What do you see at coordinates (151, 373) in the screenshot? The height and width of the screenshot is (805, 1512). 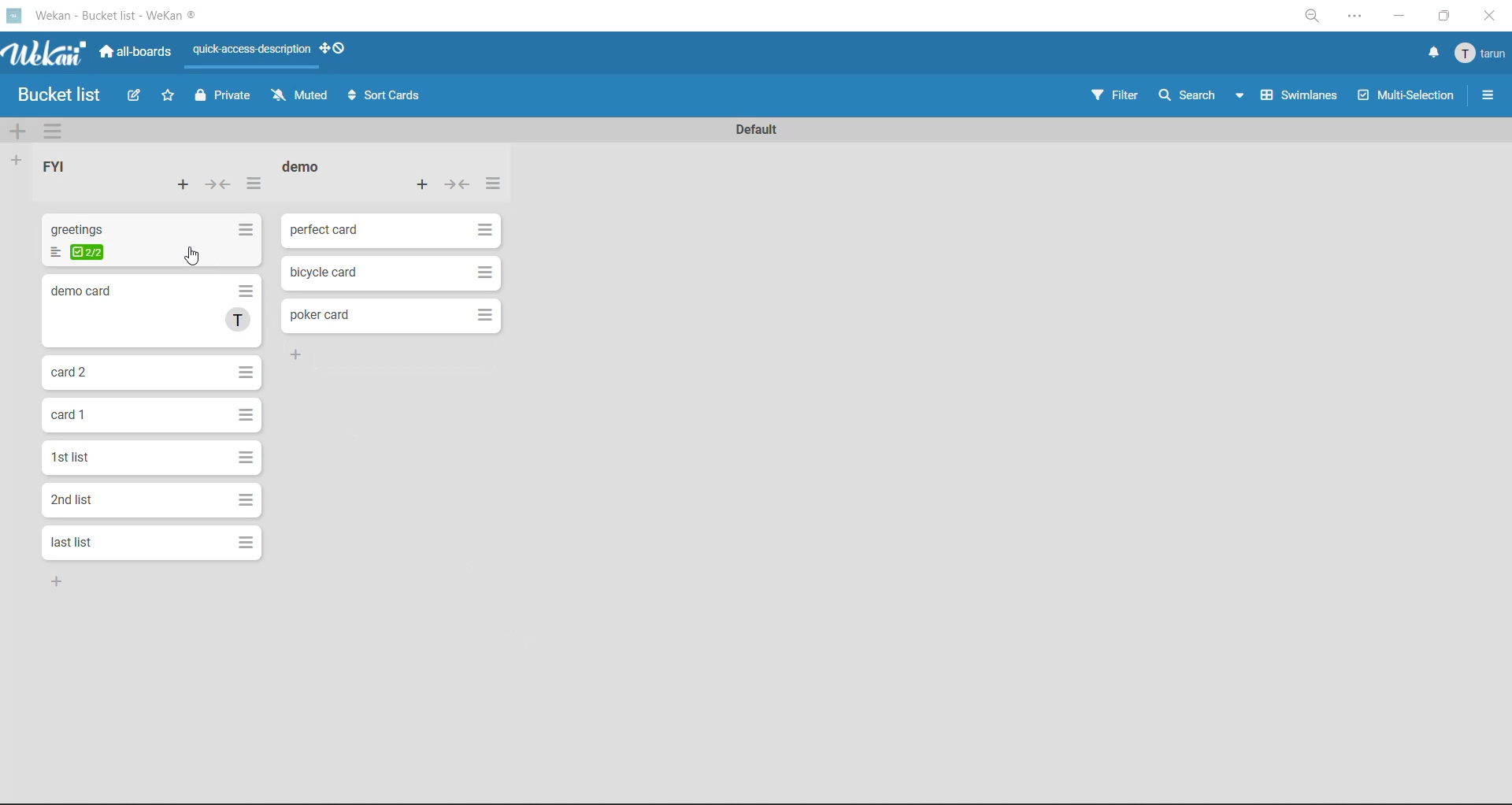 I see `cards` at bounding box center [151, 373].